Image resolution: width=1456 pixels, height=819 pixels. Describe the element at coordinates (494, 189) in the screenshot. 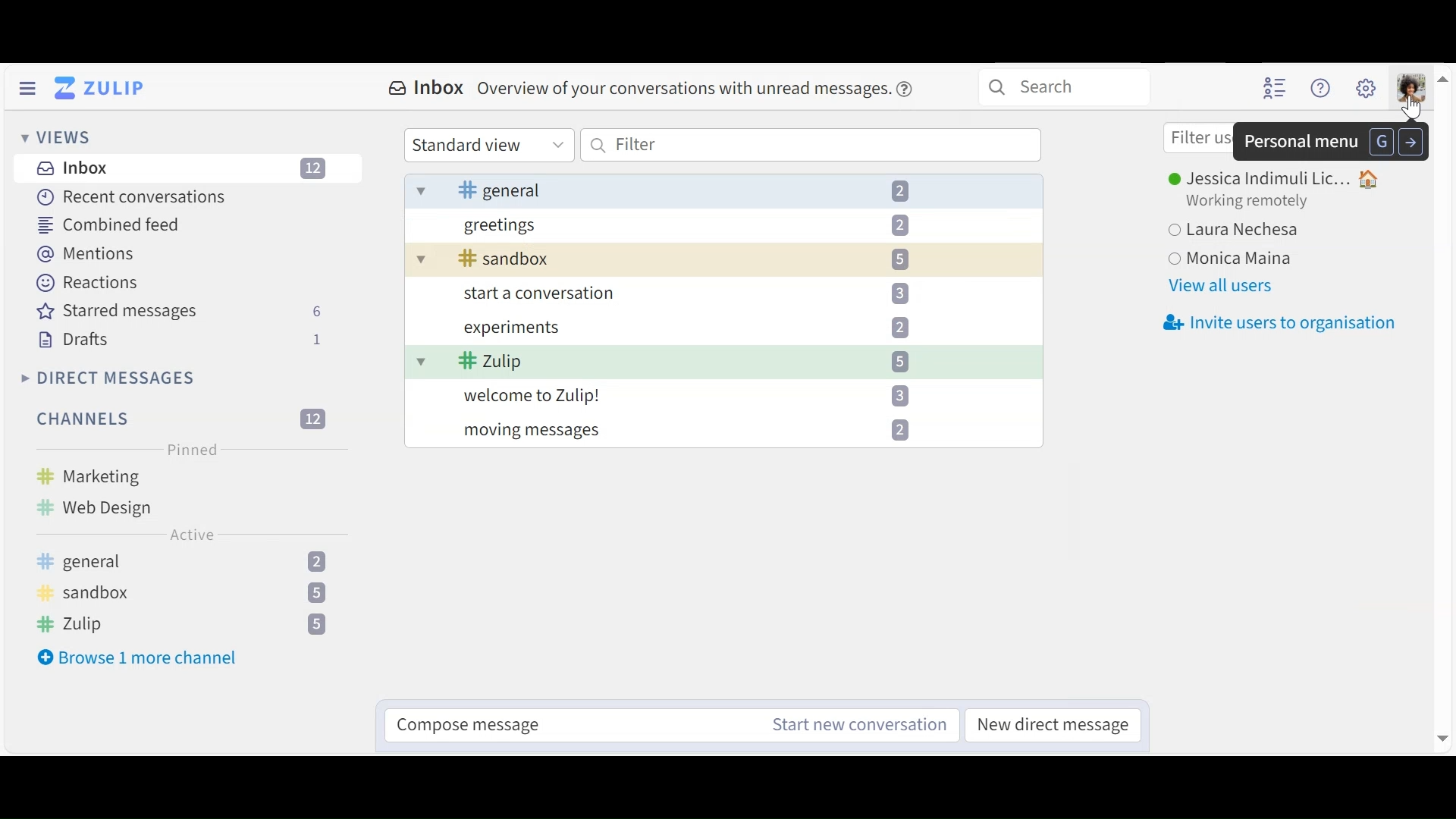

I see `# general` at that location.